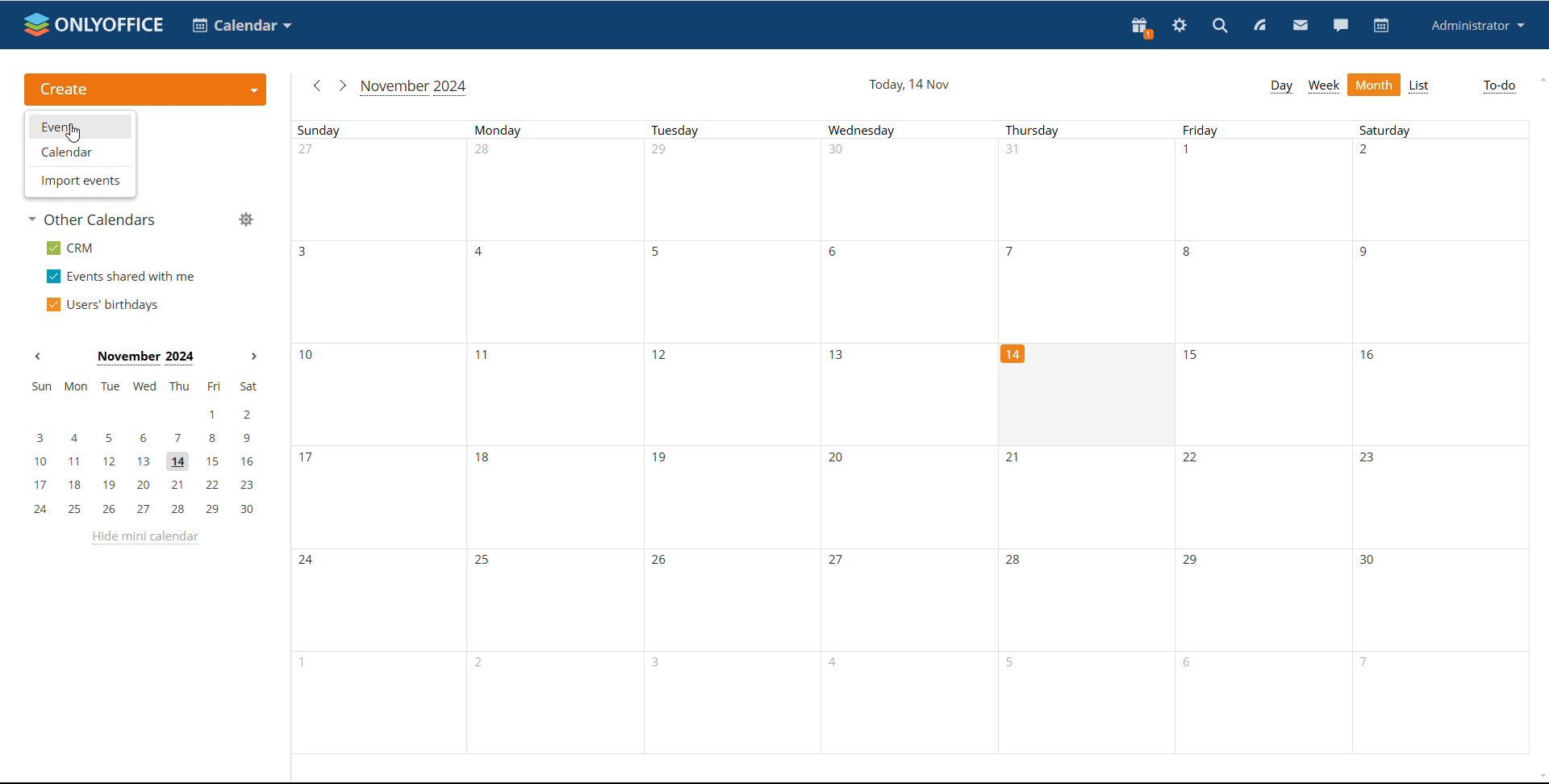  What do you see at coordinates (247, 221) in the screenshot?
I see `manage` at bounding box center [247, 221].